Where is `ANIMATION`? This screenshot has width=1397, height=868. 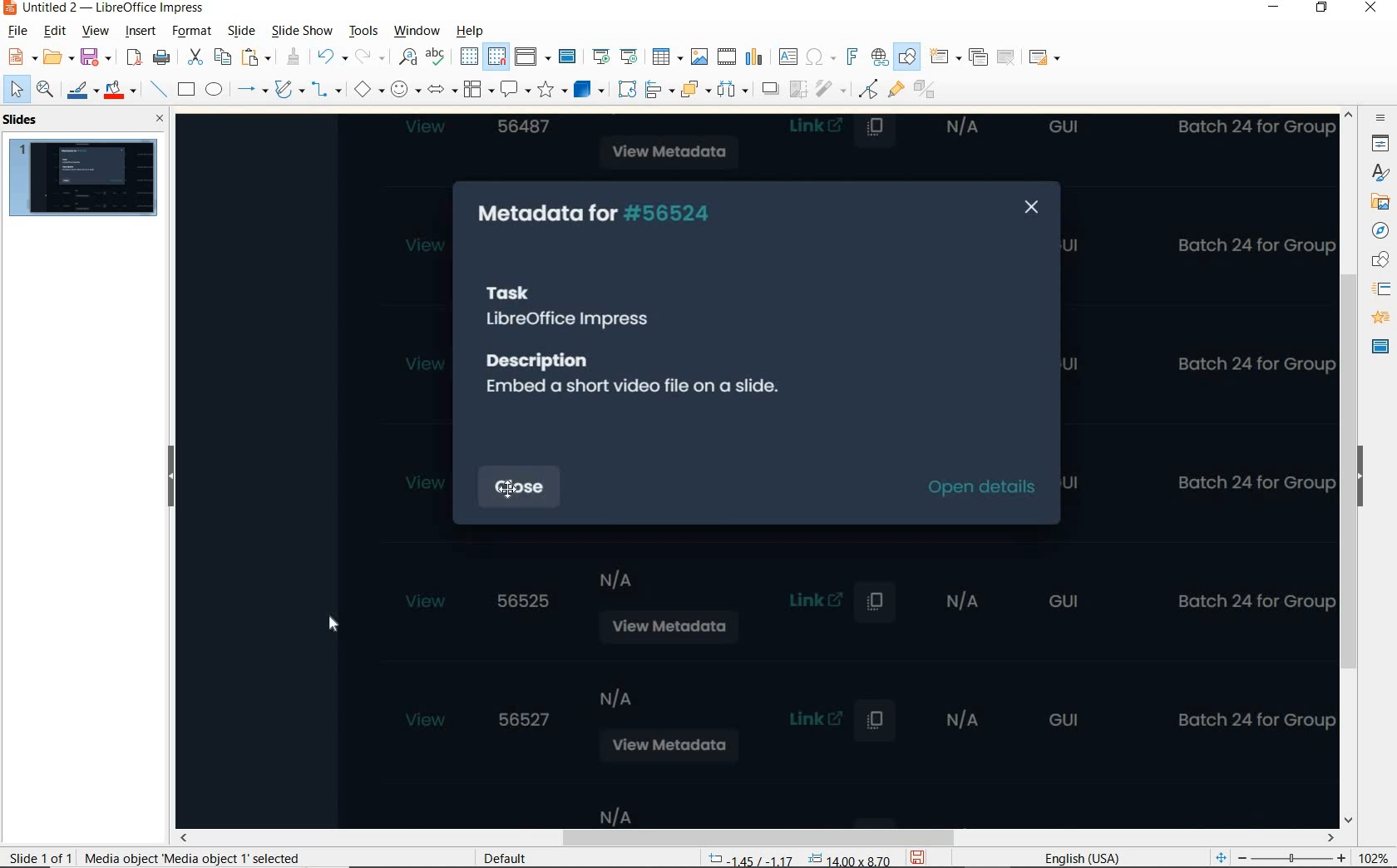
ANIMATION is located at coordinates (1380, 318).